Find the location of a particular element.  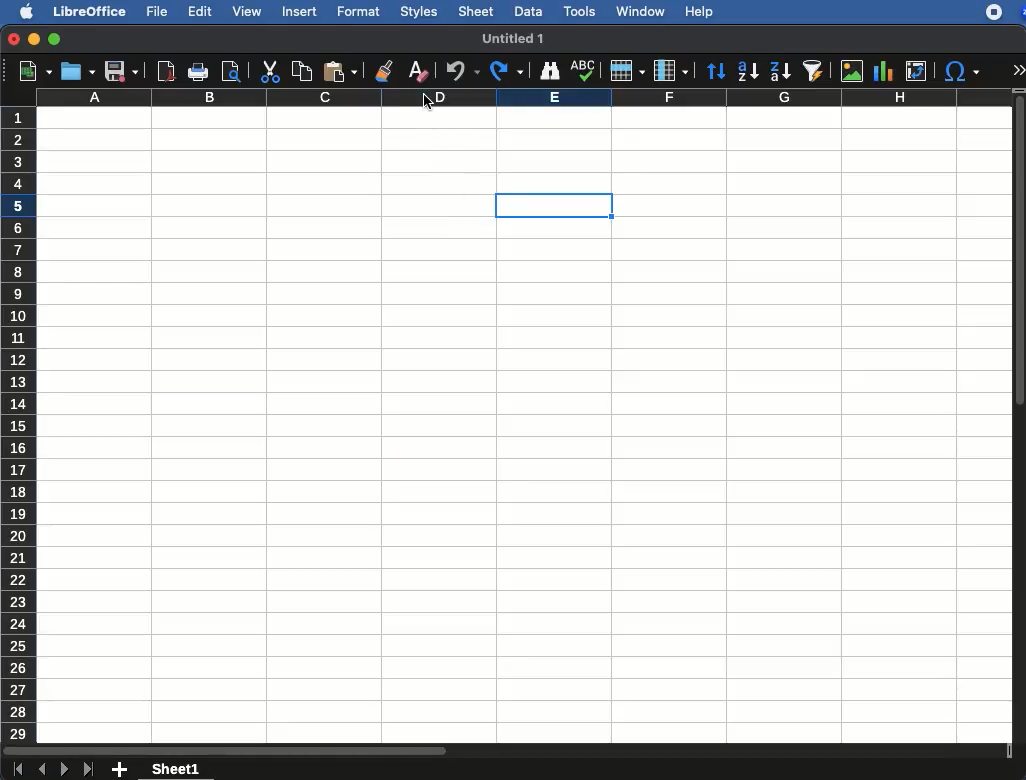

ascending is located at coordinates (744, 72).